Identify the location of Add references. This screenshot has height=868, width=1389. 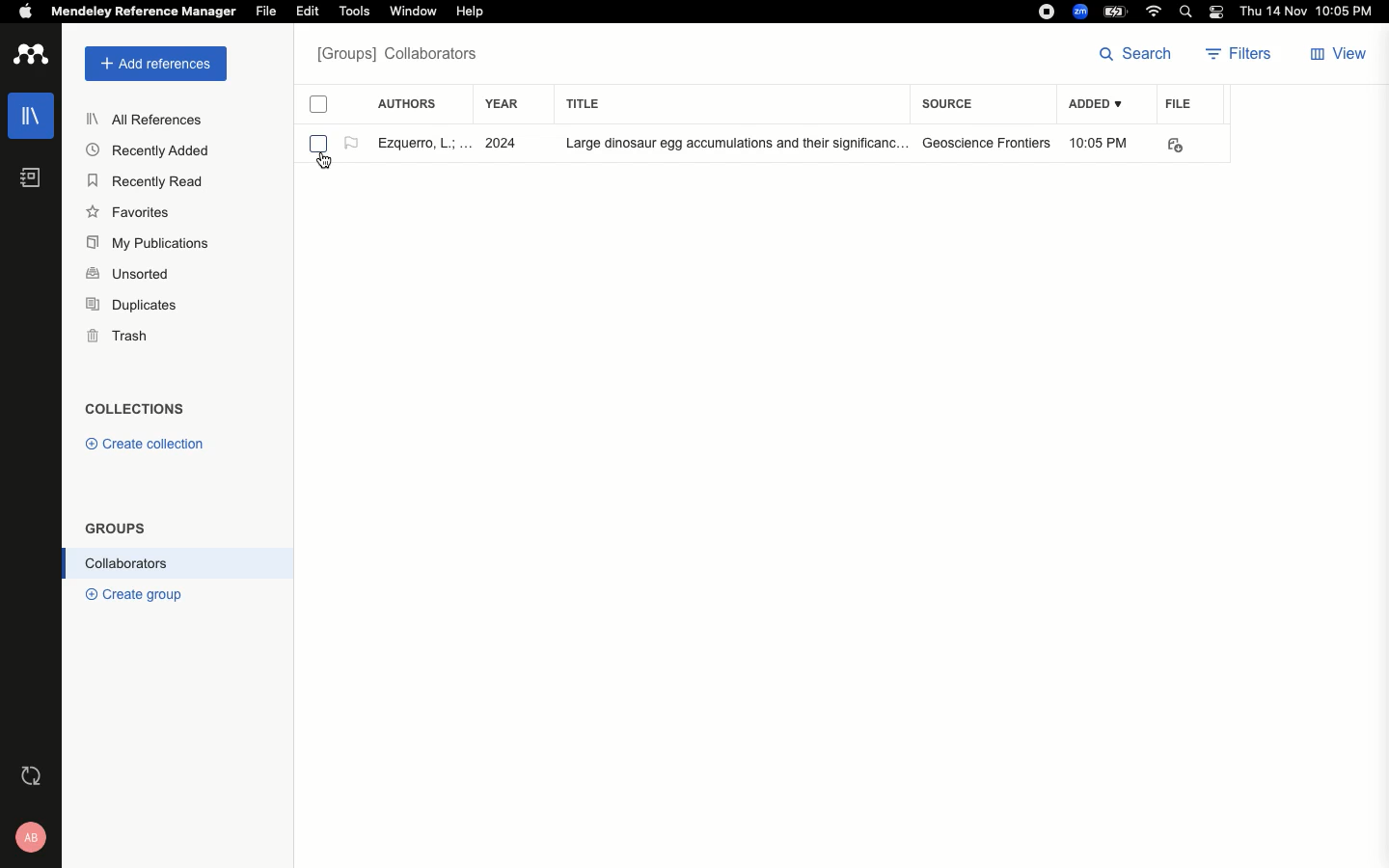
(151, 64).